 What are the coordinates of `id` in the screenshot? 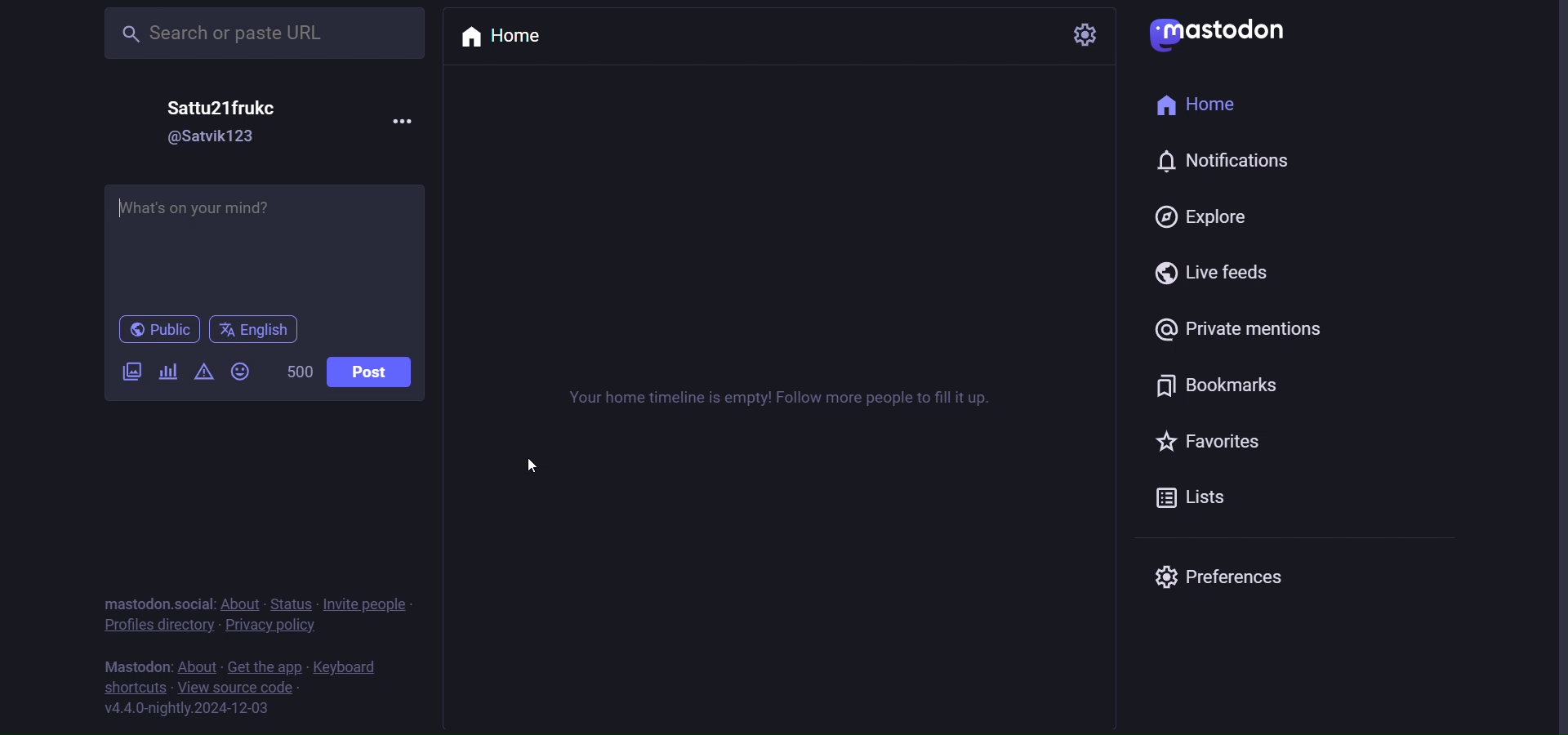 It's located at (218, 136).